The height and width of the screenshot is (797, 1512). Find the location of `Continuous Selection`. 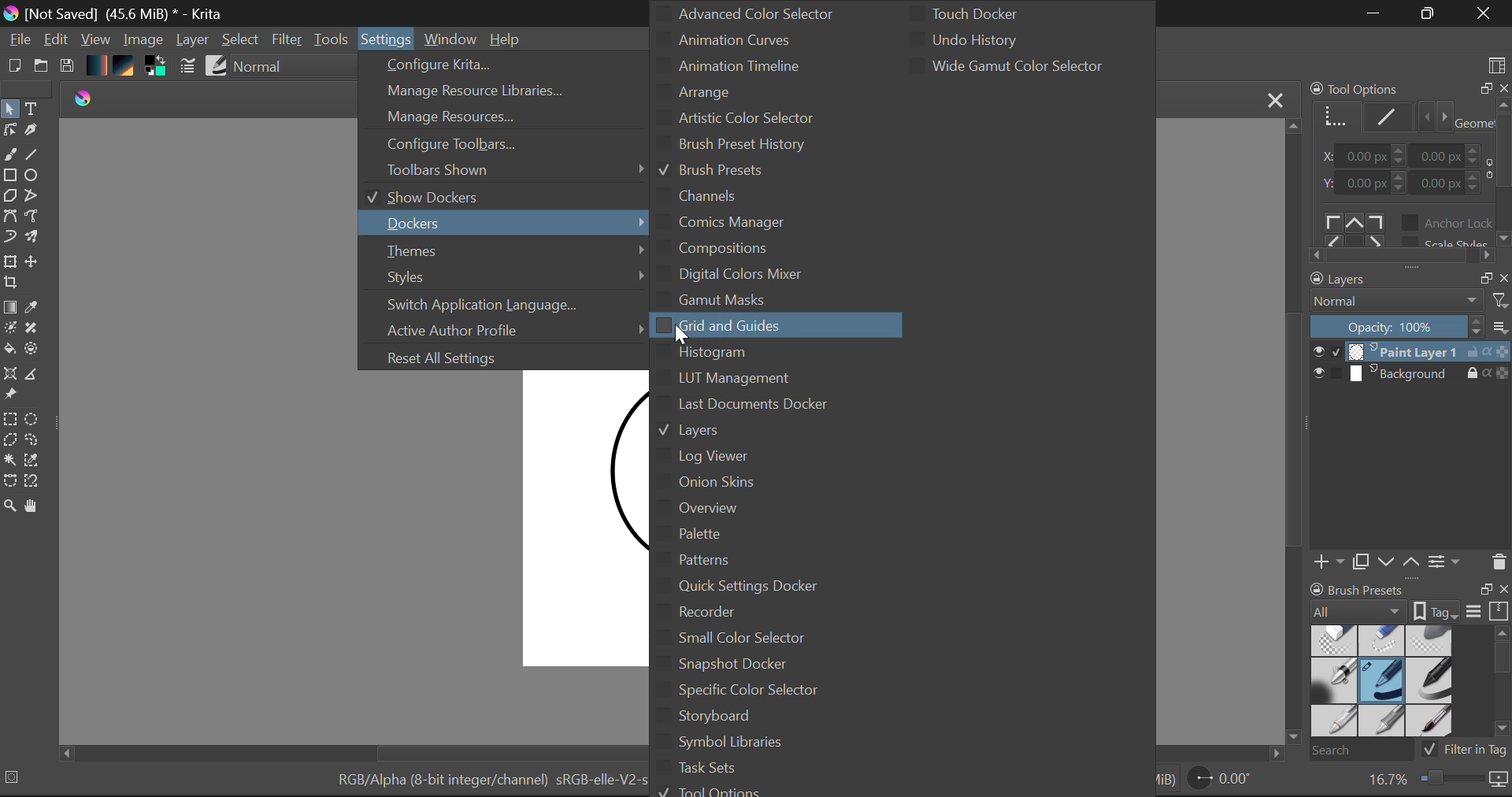

Continuous Selection is located at coordinates (9, 462).